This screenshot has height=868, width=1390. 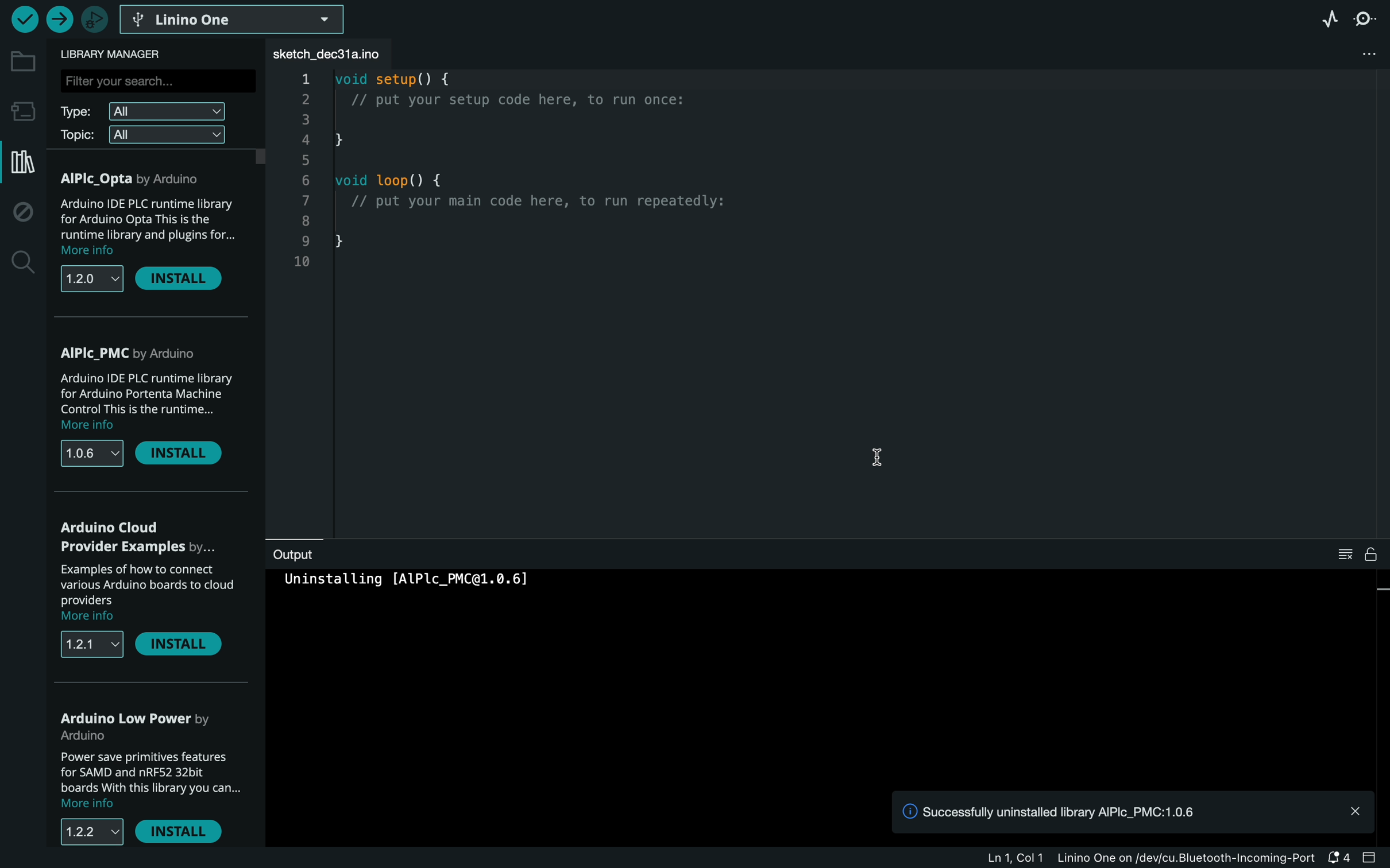 What do you see at coordinates (237, 21) in the screenshot?
I see `board selecter` at bounding box center [237, 21].